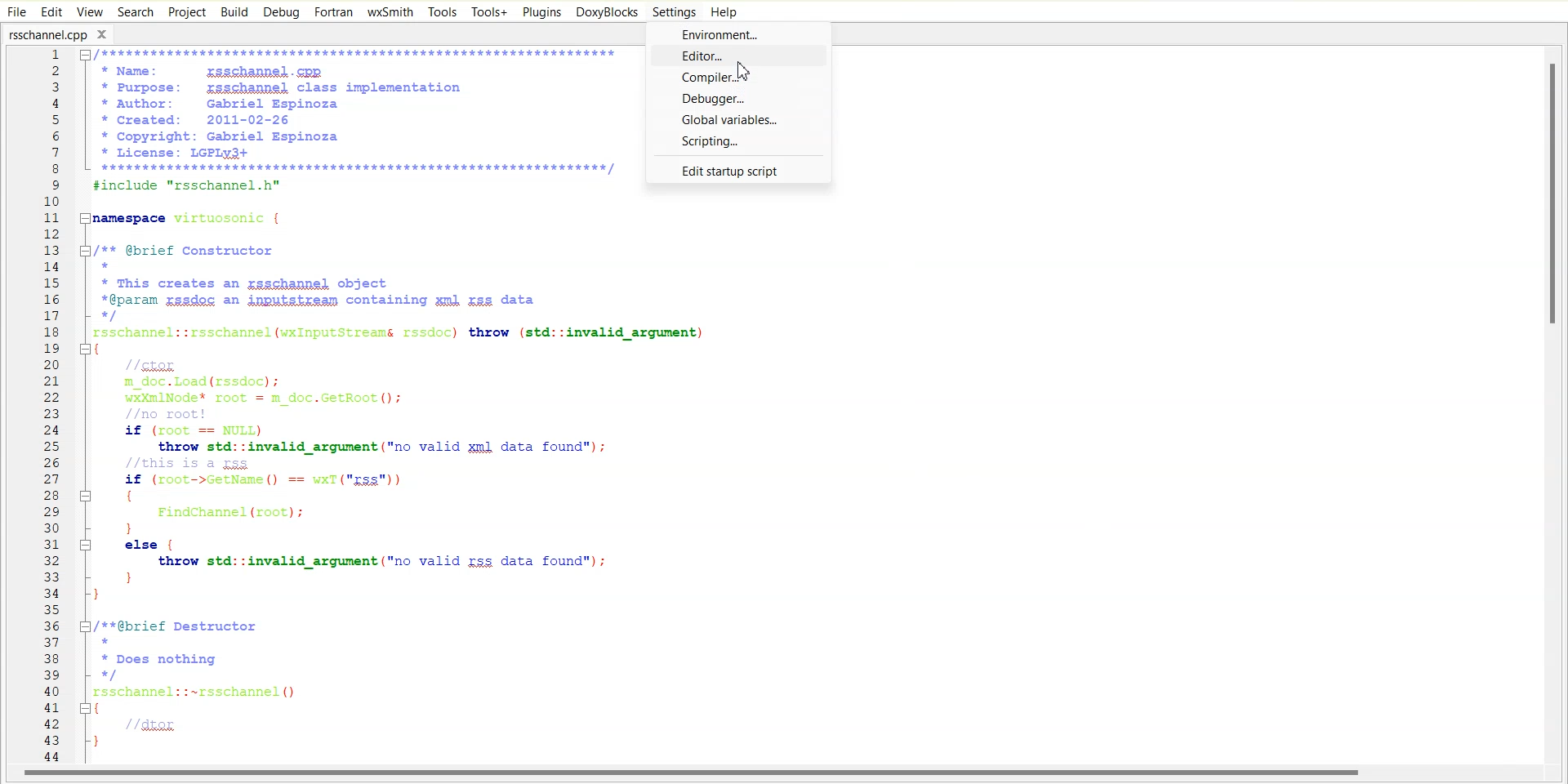  Describe the element at coordinates (737, 77) in the screenshot. I see `Compiler` at that location.